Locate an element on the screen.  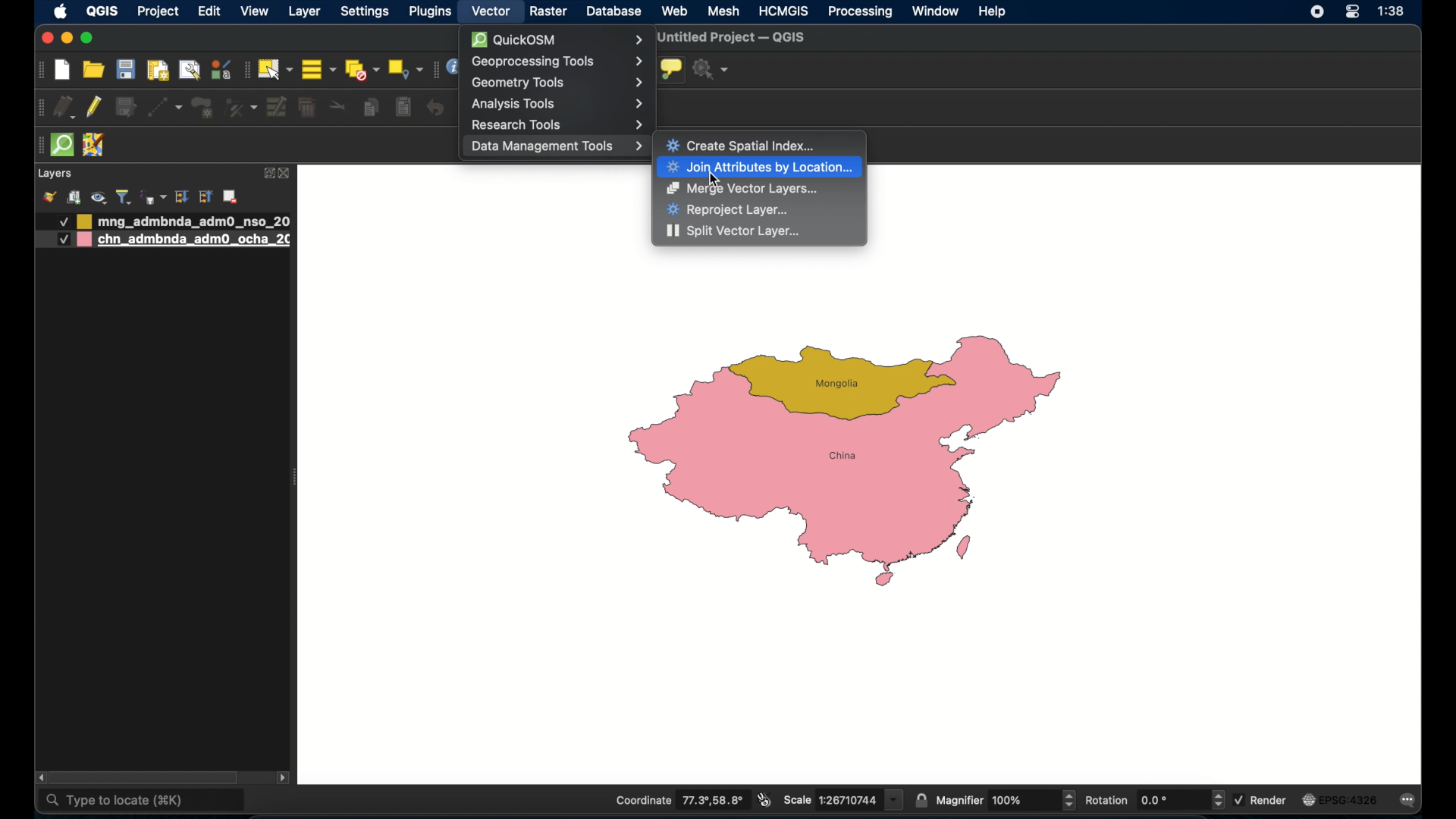
filter legen by expression is located at coordinates (152, 196).